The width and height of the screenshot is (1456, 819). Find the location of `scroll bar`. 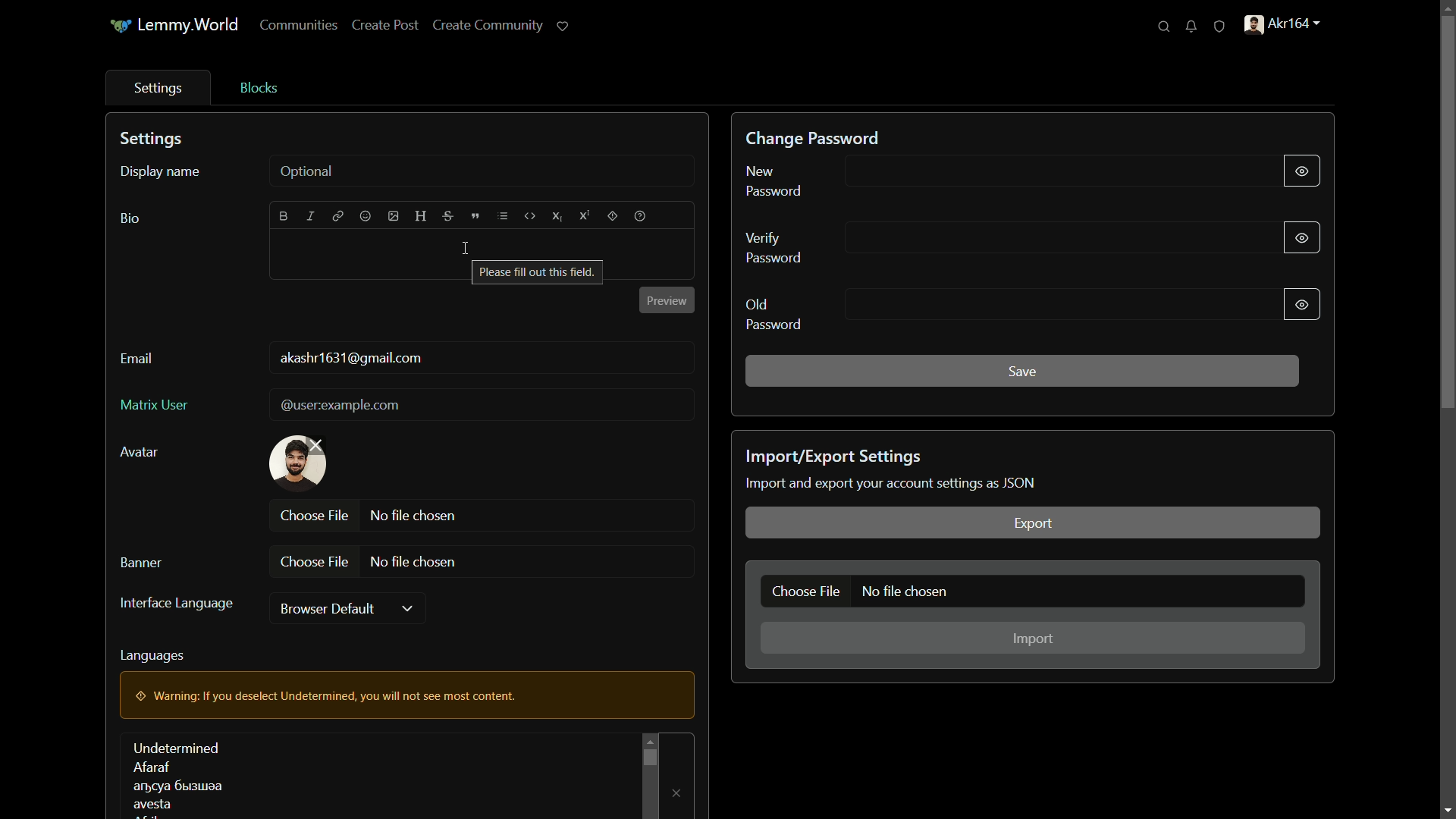

scroll bar is located at coordinates (1447, 211).